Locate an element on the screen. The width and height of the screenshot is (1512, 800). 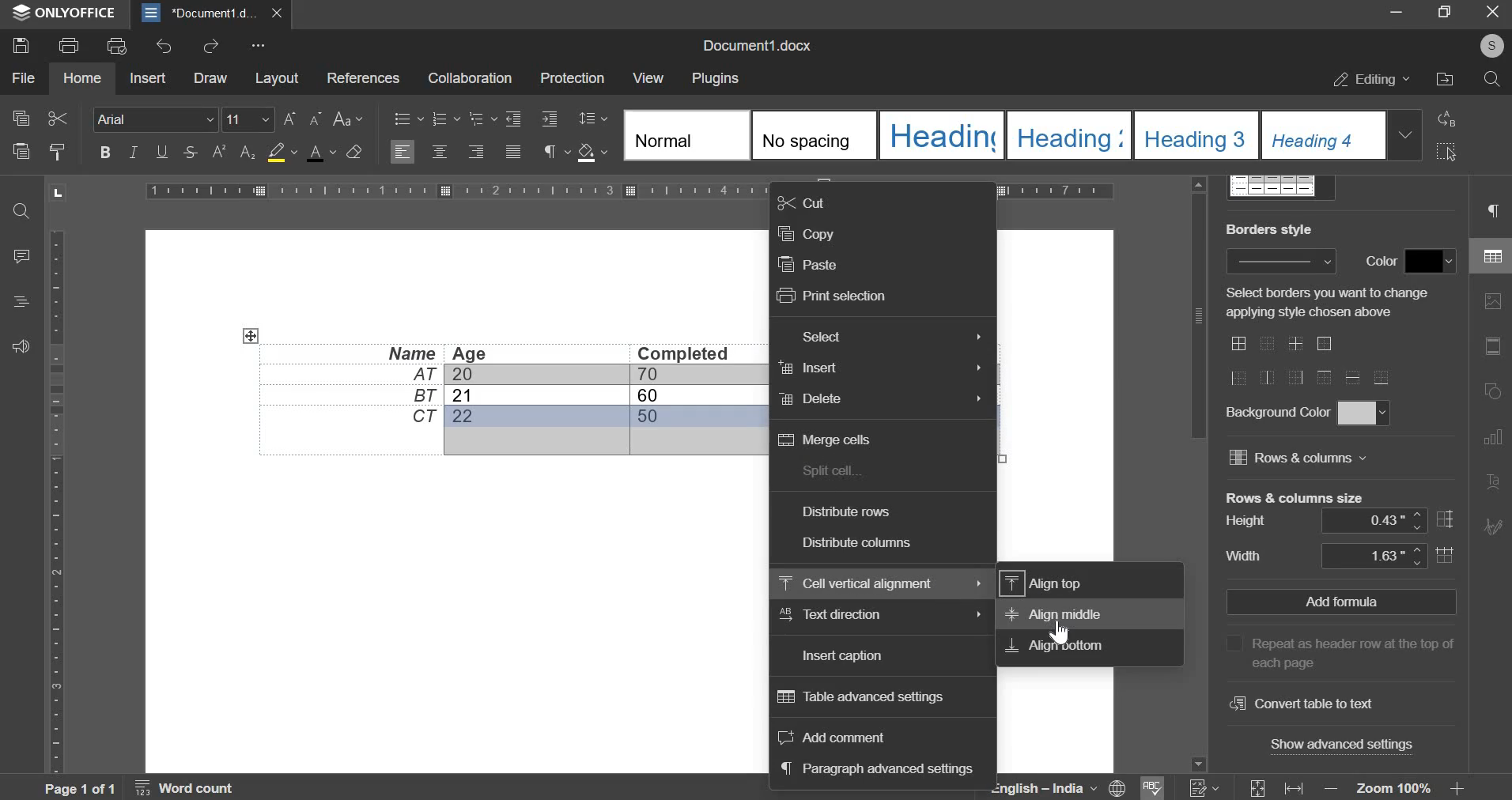
decrease indent is located at coordinates (550, 117).